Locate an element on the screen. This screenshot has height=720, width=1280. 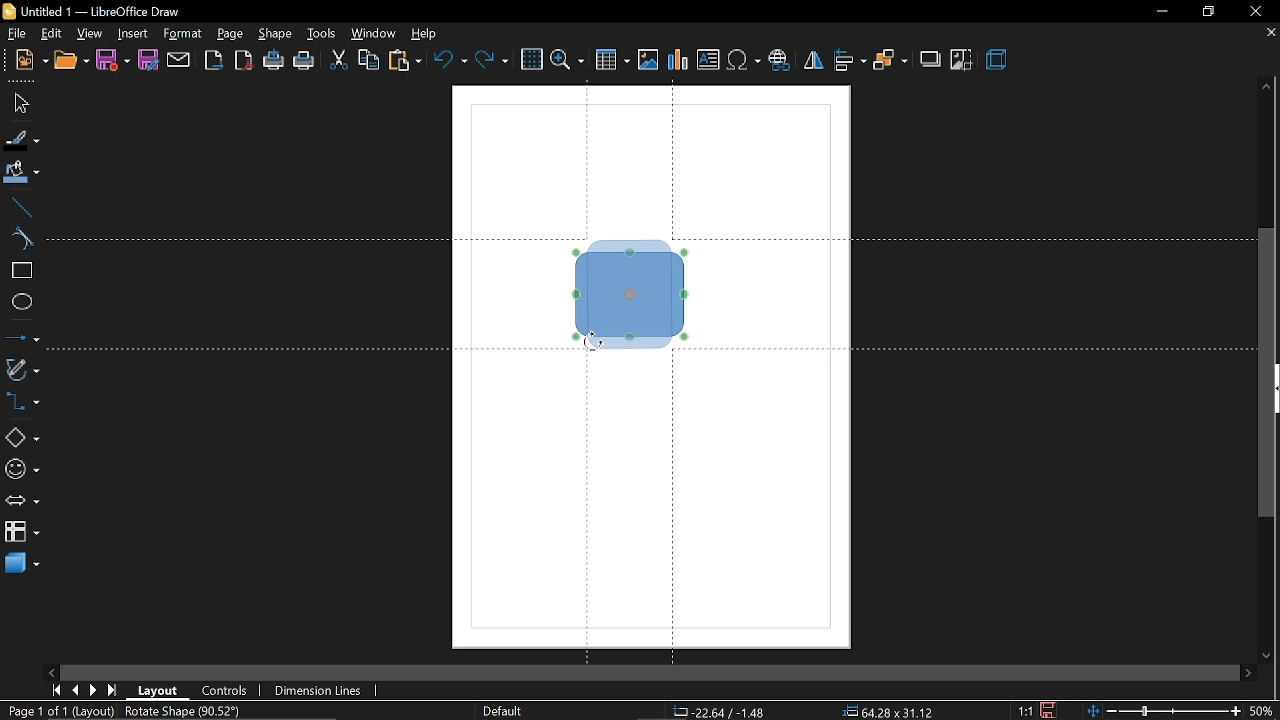
basic shapes is located at coordinates (21, 435).